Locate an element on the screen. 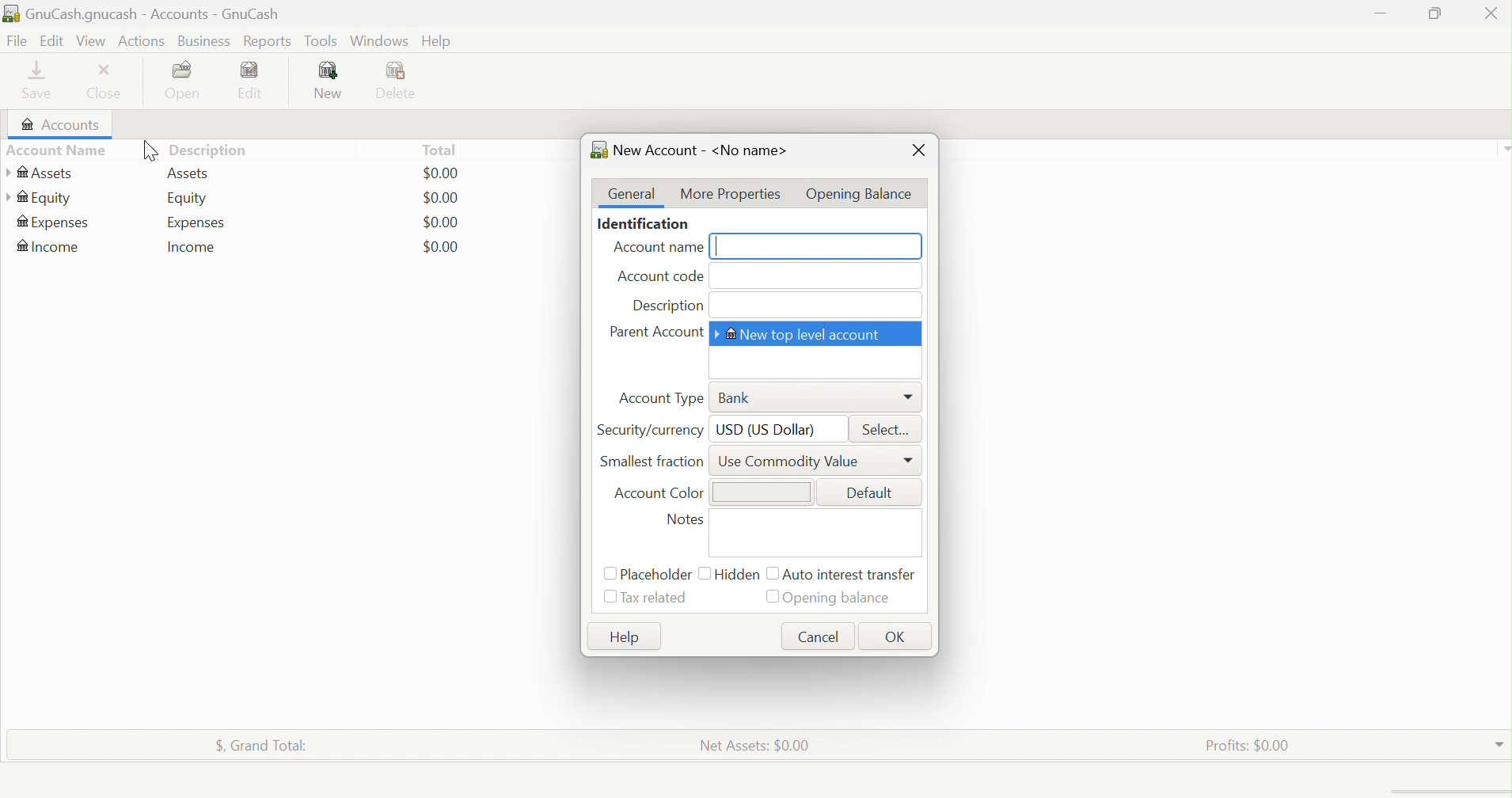  GnuCash.gnucash - Accounts - GnuCash is located at coordinates (152, 15).